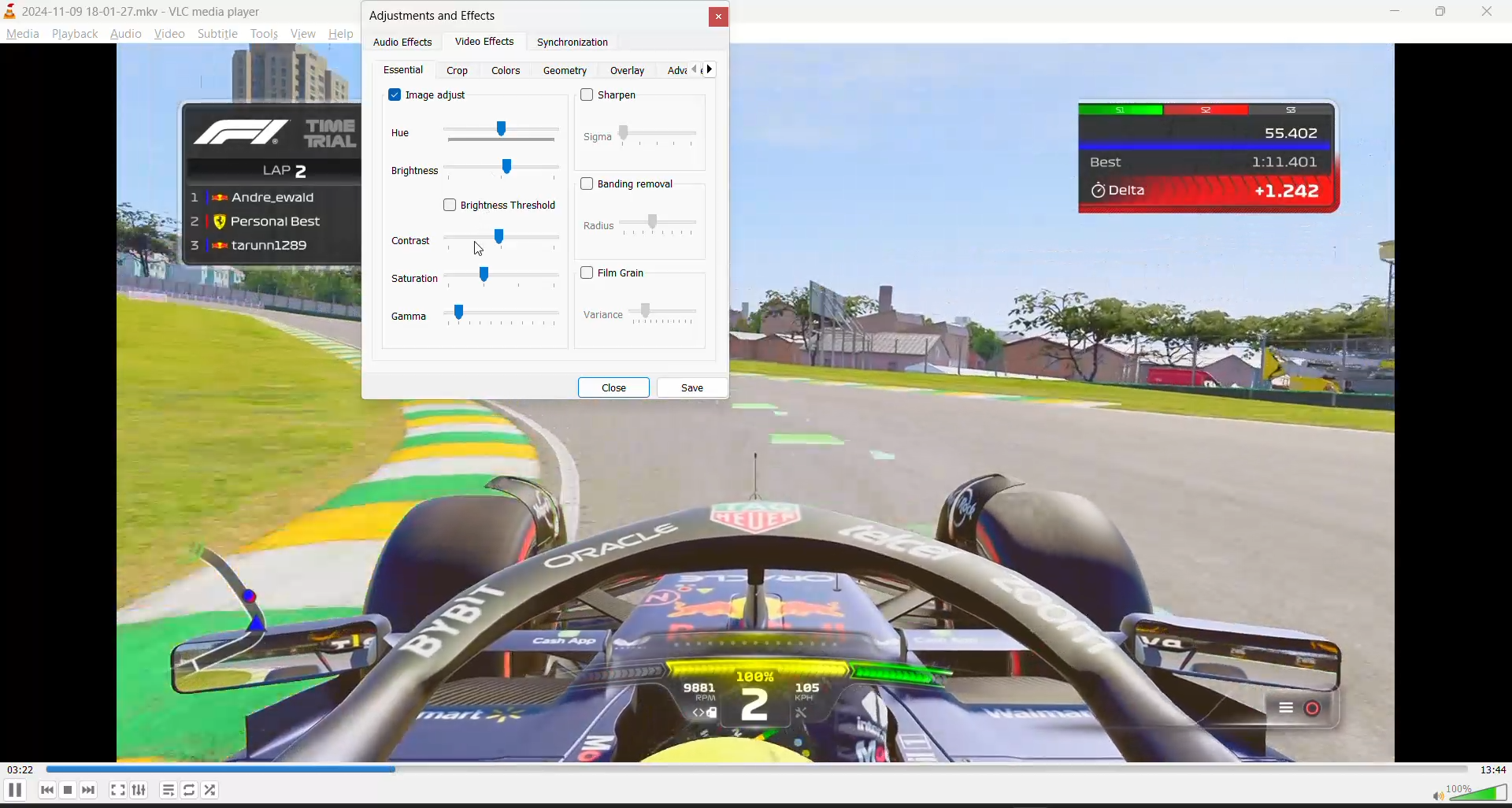 The image size is (1512, 808). Describe the element at coordinates (48, 790) in the screenshot. I see `previous` at that location.